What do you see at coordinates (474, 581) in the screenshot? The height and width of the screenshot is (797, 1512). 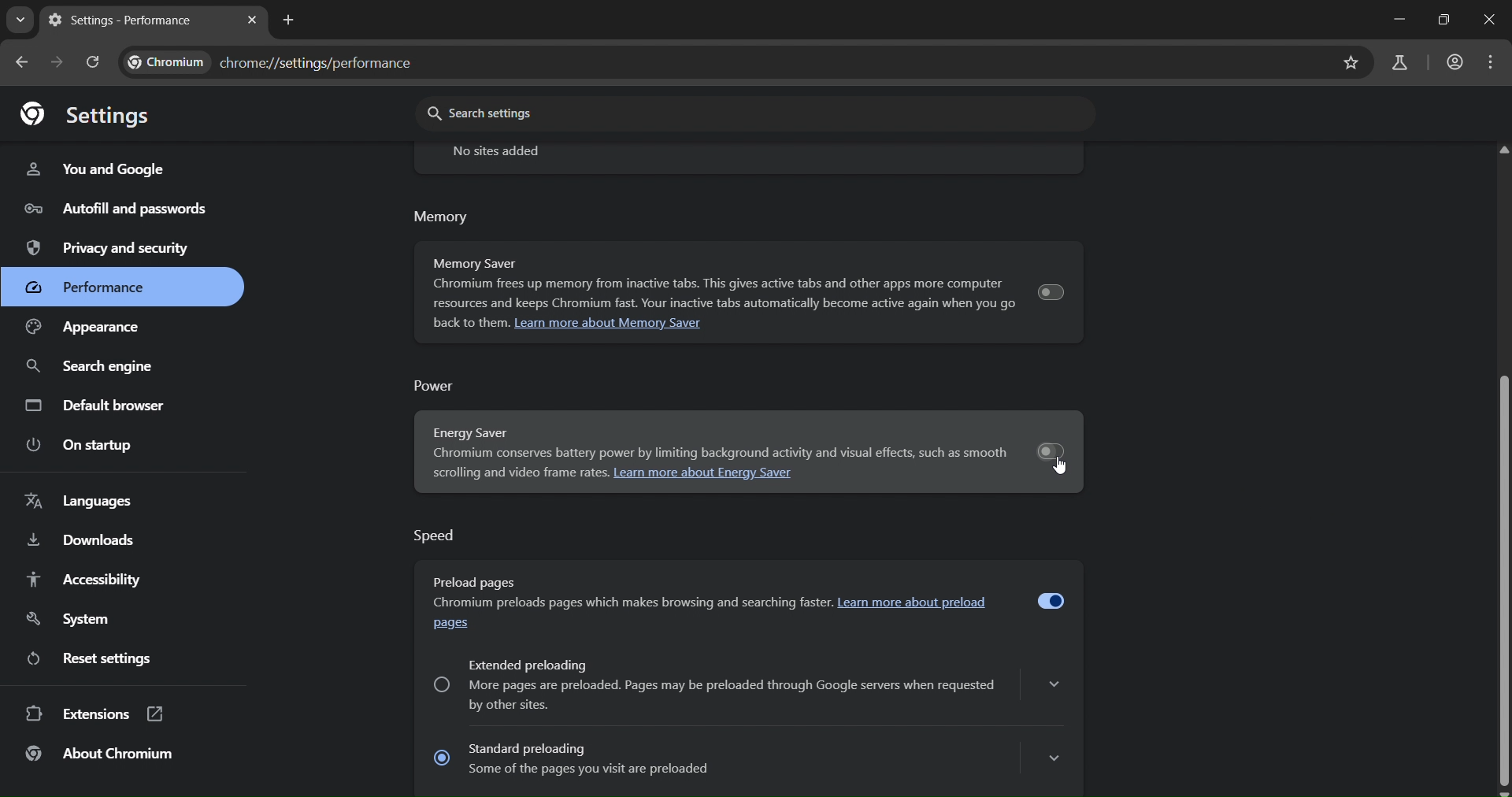 I see `Preload pages` at bounding box center [474, 581].